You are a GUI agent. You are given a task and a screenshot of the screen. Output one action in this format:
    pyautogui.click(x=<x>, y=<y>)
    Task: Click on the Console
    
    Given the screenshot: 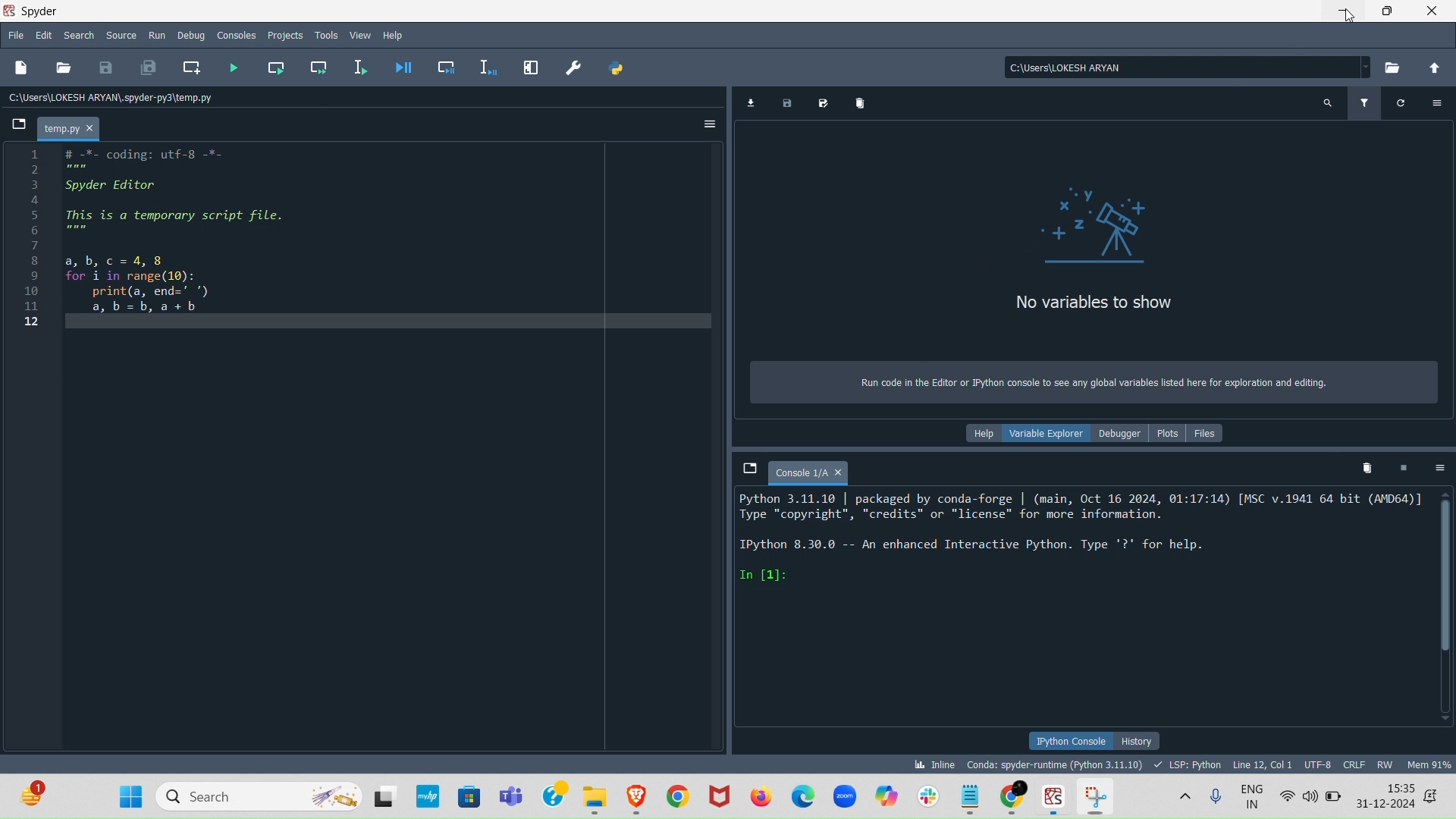 What is the action you would take?
    pyautogui.click(x=806, y=469)
    